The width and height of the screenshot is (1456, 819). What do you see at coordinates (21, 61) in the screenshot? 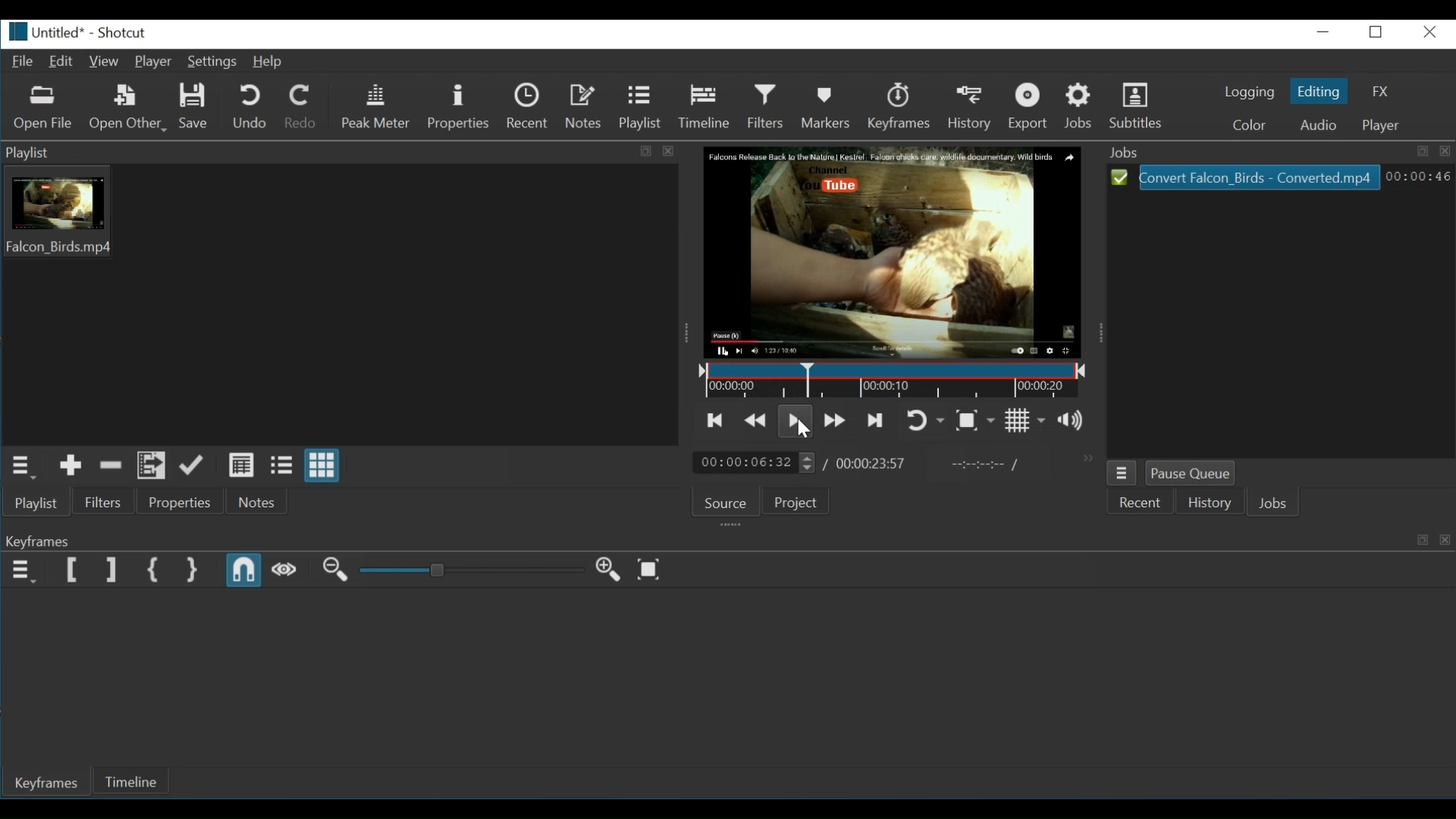
I see `File` at bounding box center [21, 61].